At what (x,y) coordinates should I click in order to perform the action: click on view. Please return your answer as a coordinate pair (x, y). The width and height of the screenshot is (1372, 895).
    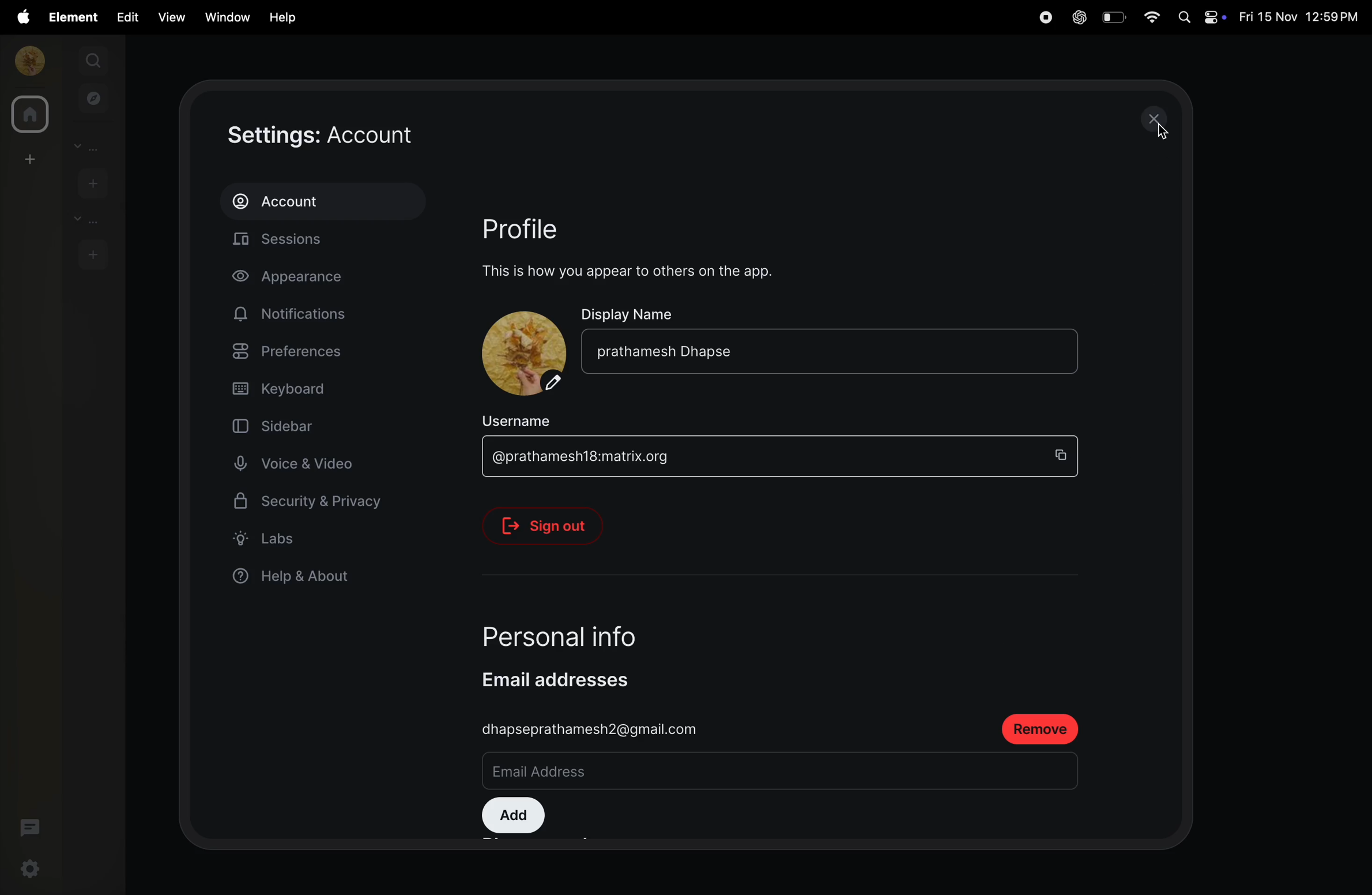
    Looking at the image, I should click on (168, 17).